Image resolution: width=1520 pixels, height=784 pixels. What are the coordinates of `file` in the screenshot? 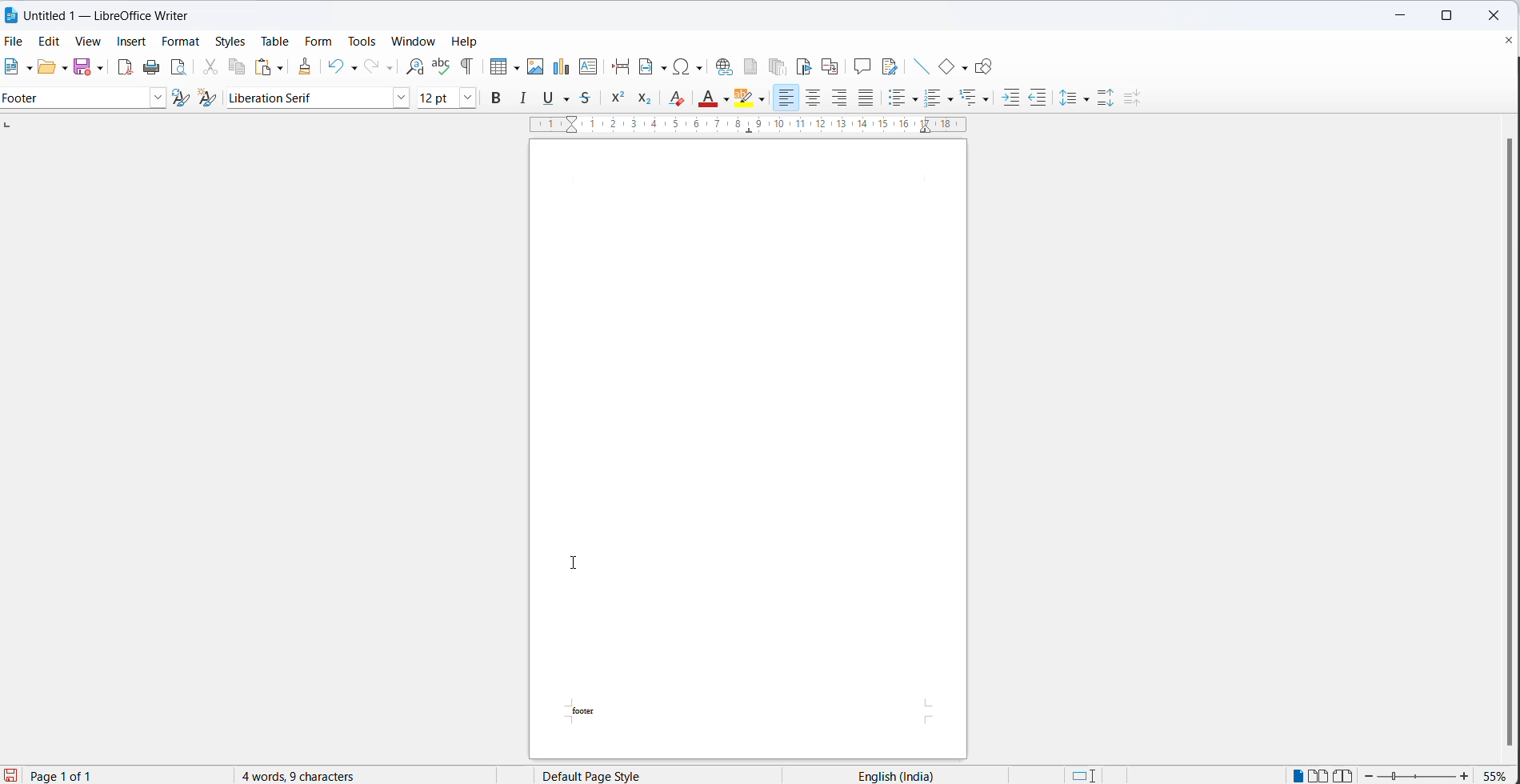 It's located at (16, 40).